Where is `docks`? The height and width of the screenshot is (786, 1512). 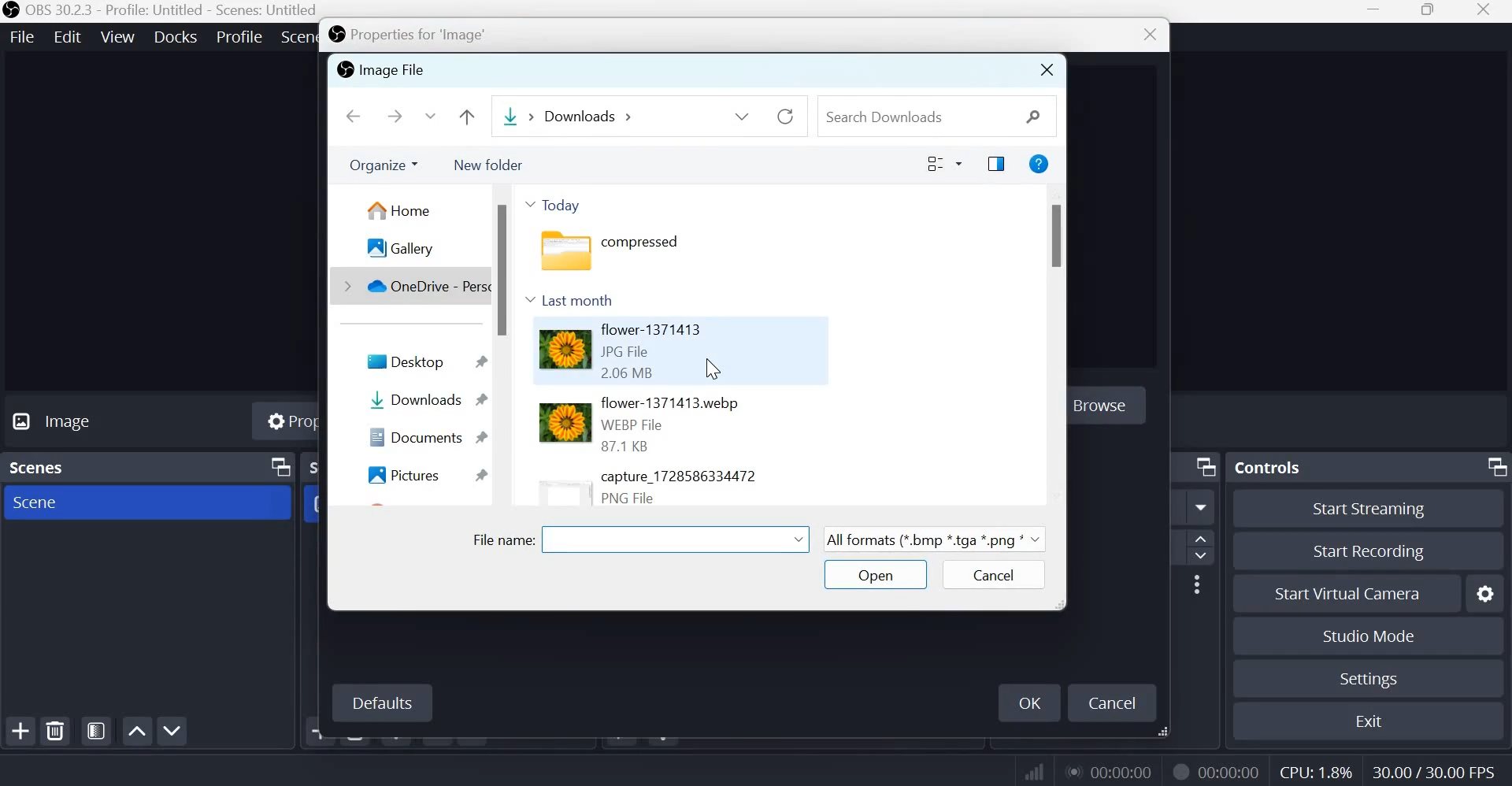 docks is located at coordinates (178, 35).